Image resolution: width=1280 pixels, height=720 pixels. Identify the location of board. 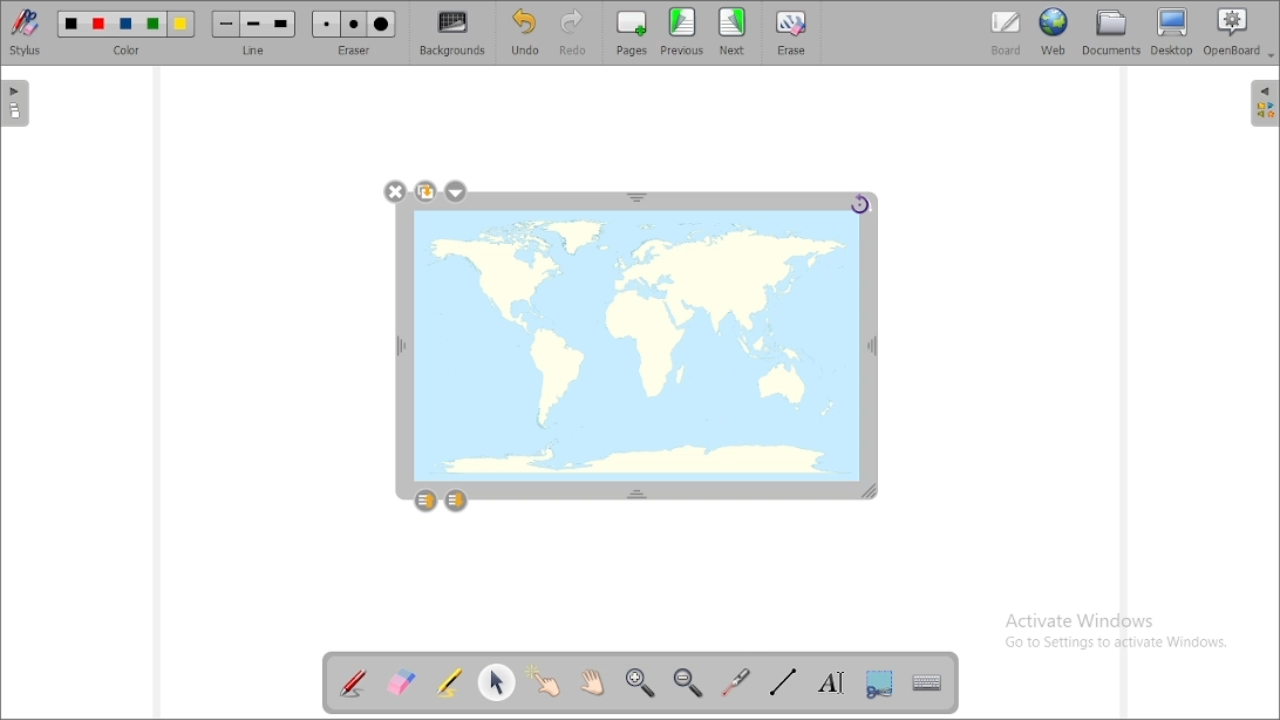
(1006, 33).